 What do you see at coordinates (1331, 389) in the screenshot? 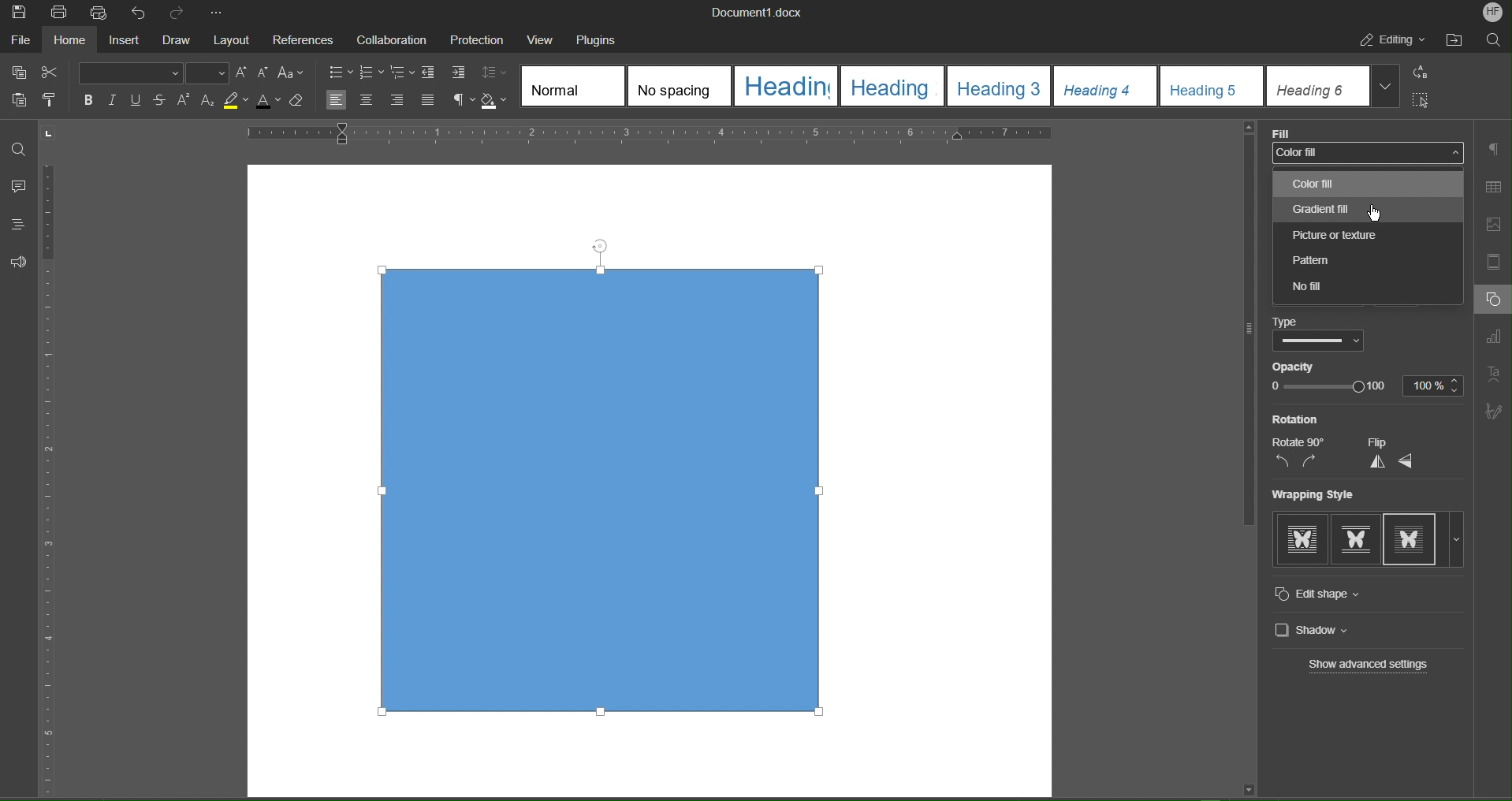
I see `0 100` at bounding box center [1331, 389].